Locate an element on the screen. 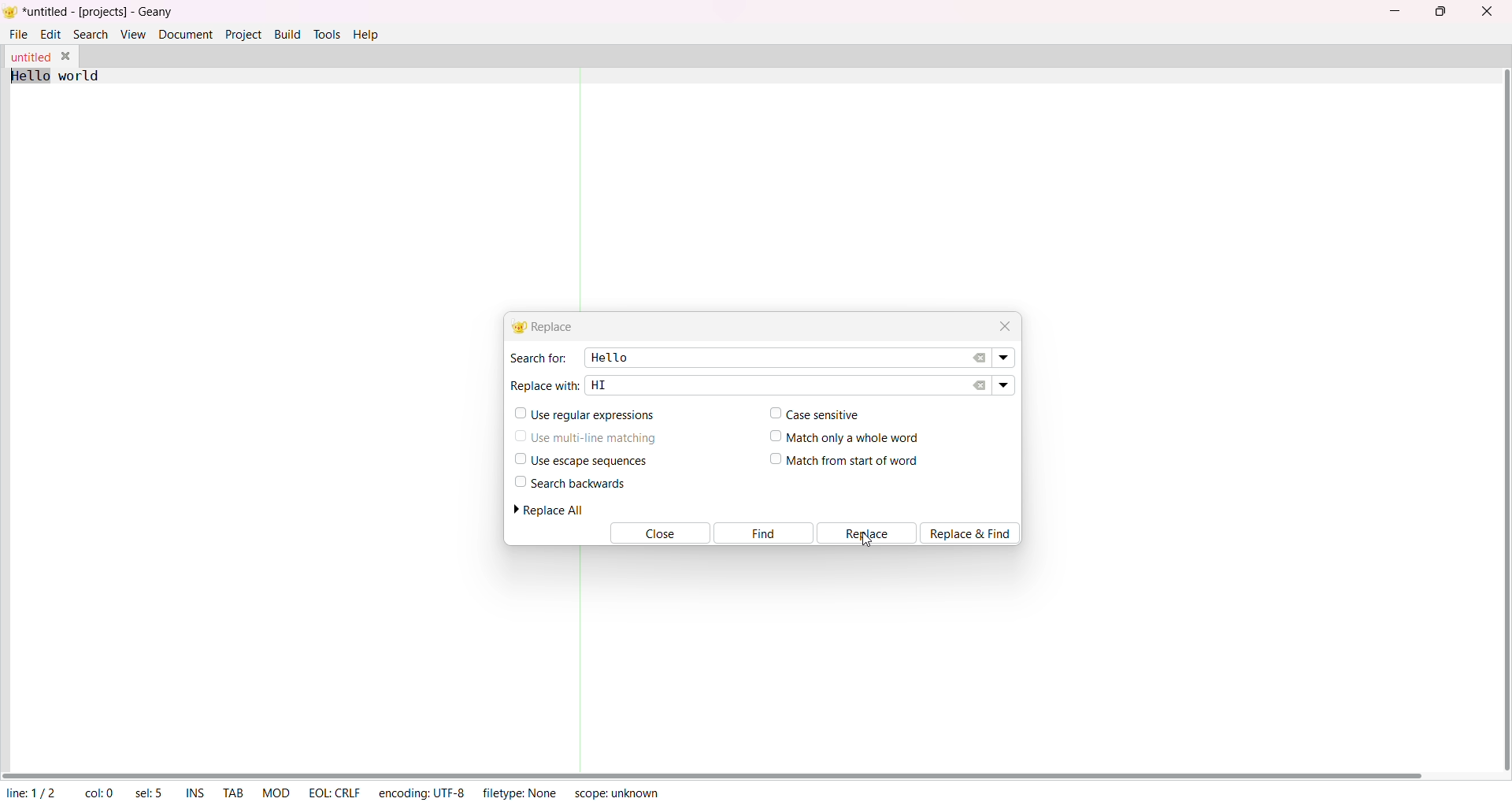 This screenshot has height=802, width=1512. replace with is located at coordinates (545, 384).